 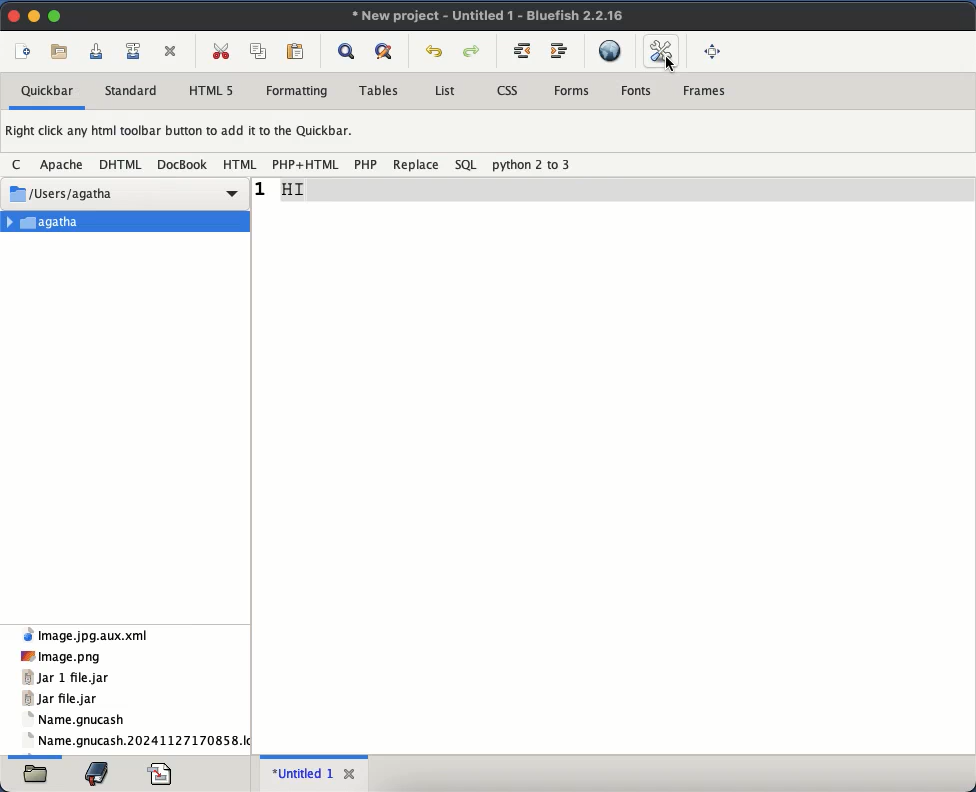 I want to click on css, so click(x=511, y=90).